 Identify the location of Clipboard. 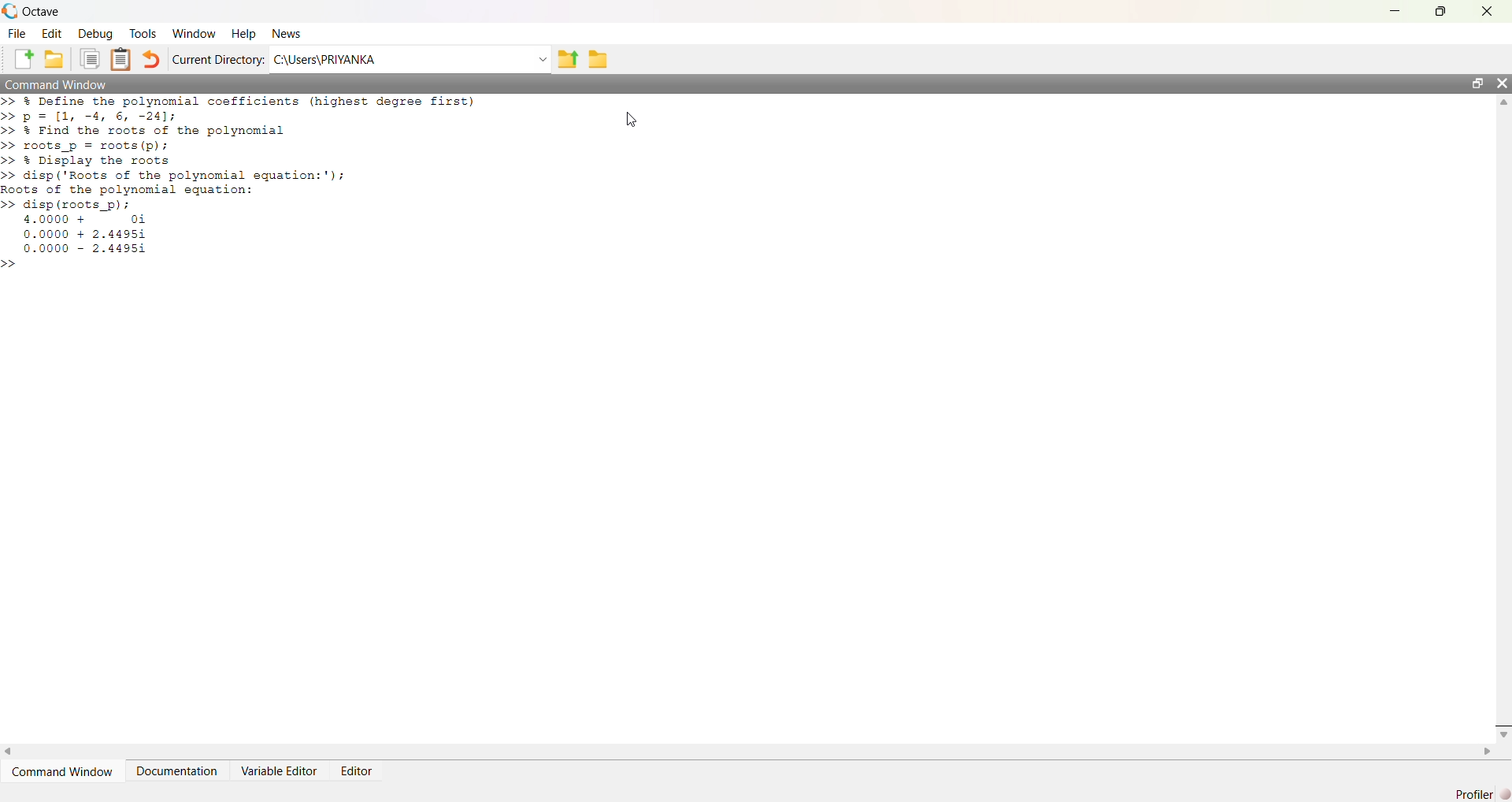
(121, 59).